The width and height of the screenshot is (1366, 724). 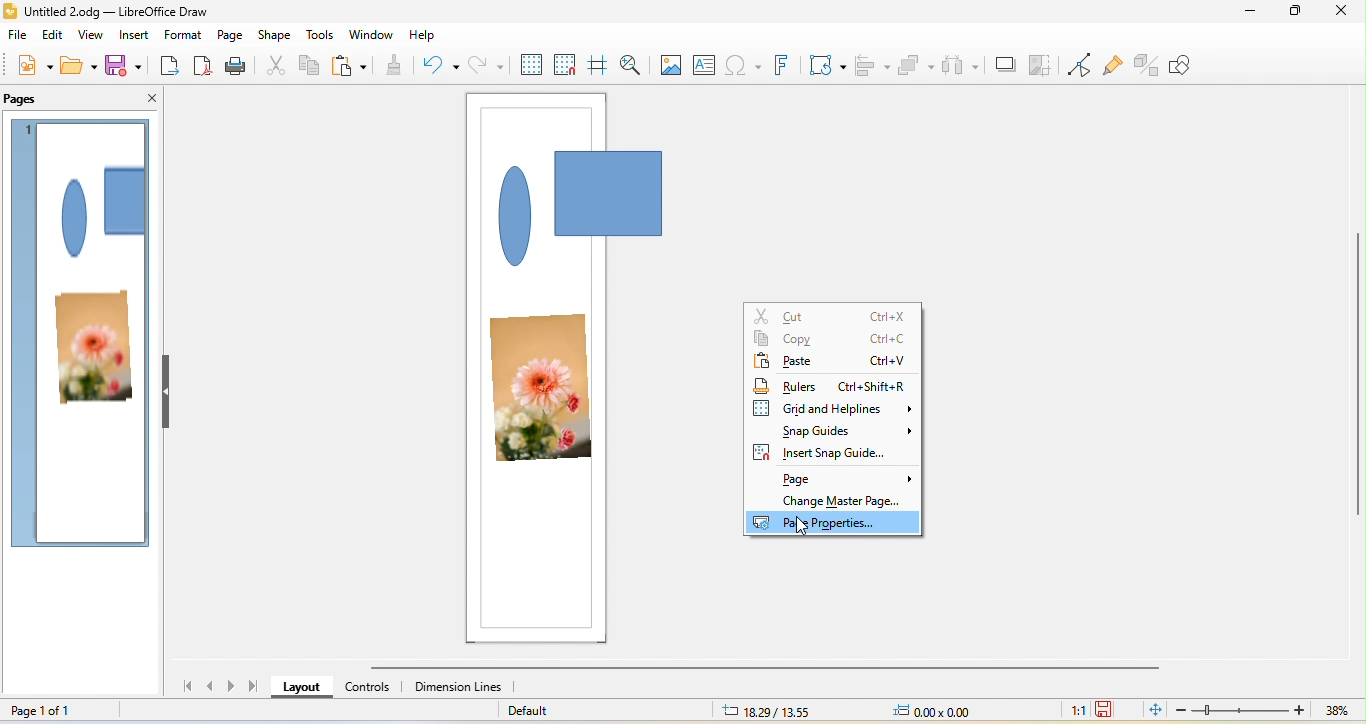 What do you see at coordinates (804, 528) in the screenshot?
I see `cursor movement` at bounding box center [804, 528].